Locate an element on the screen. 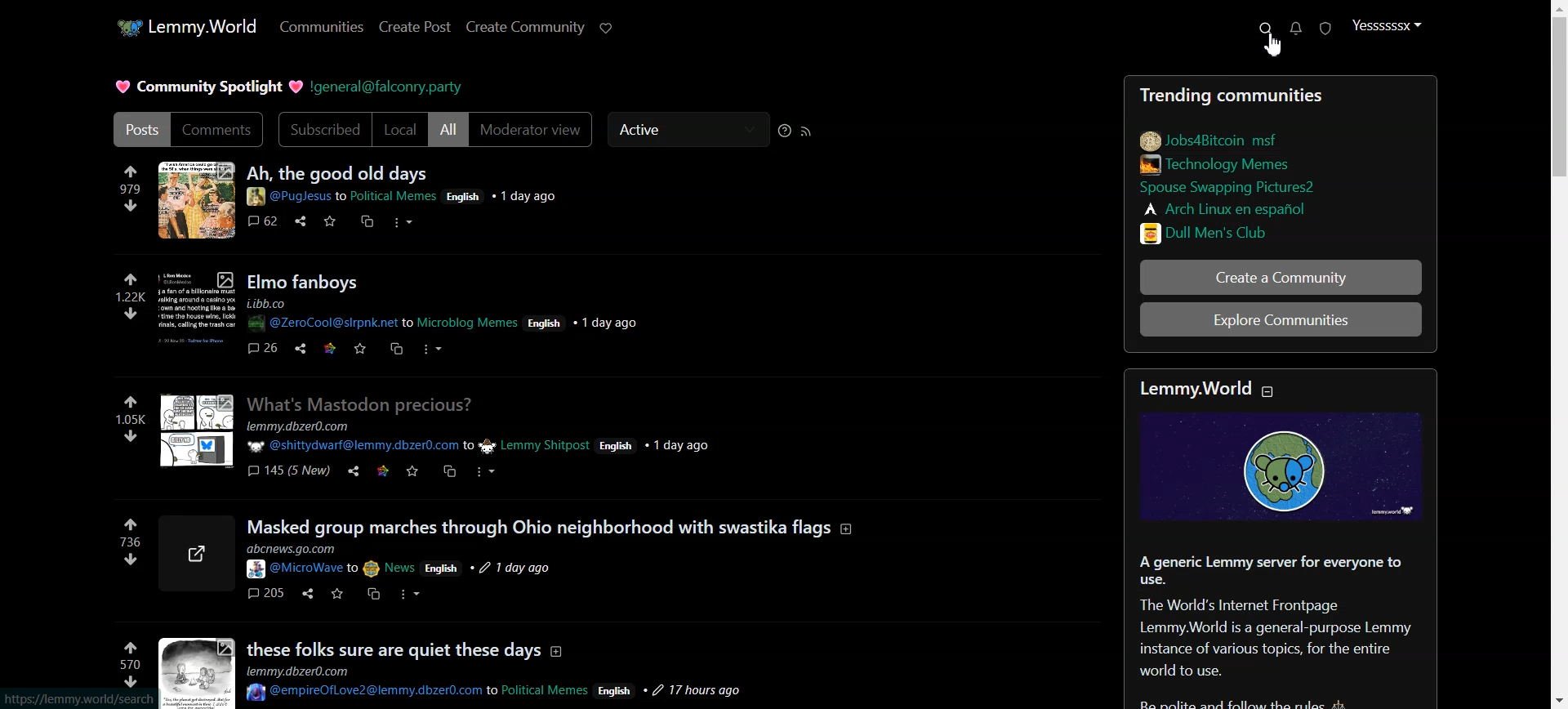  Explore Communities is located at coordinates (1281, 320).